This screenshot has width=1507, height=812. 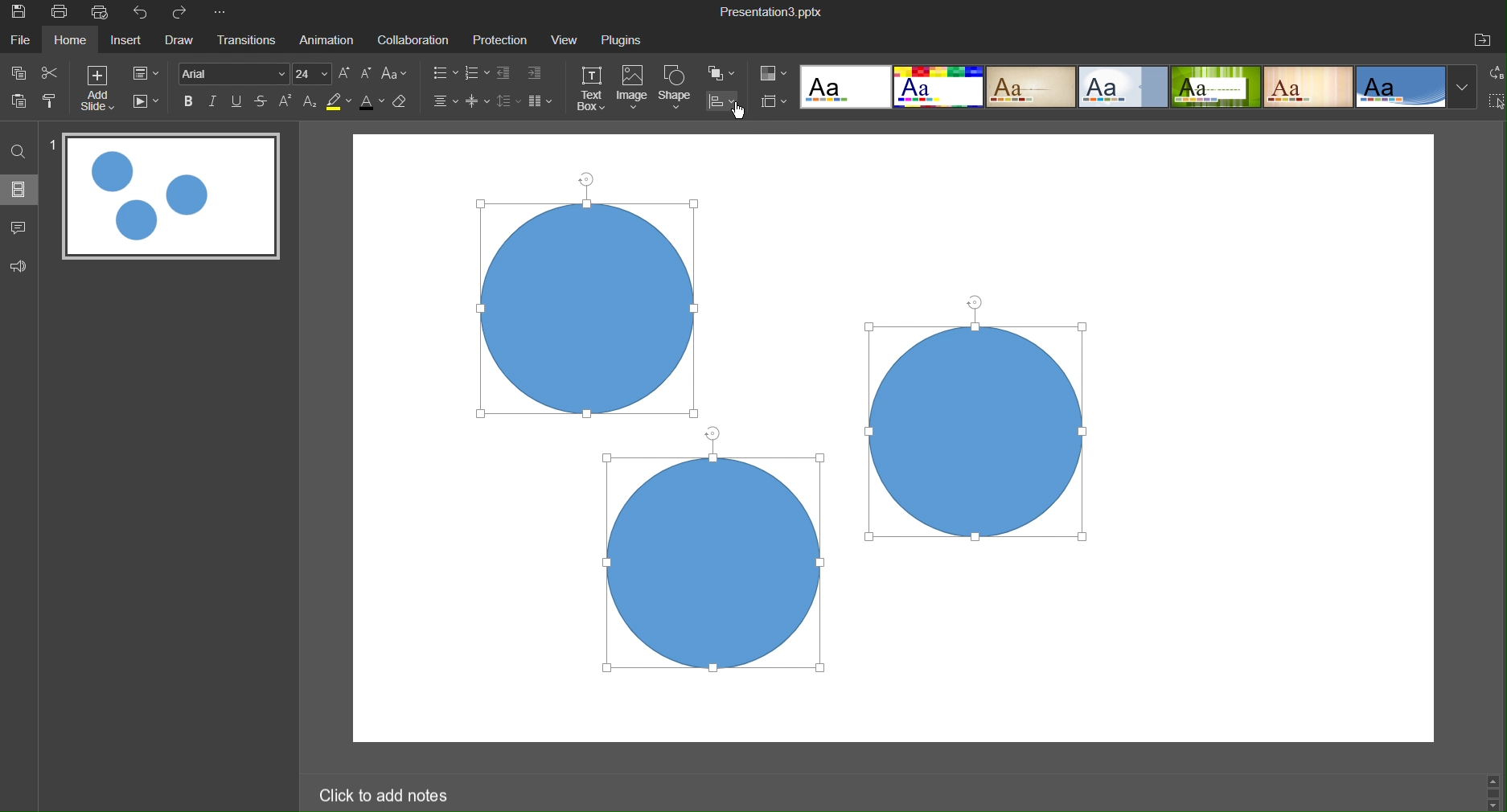 I want to click on Text Box, so click(x=593, y=89).